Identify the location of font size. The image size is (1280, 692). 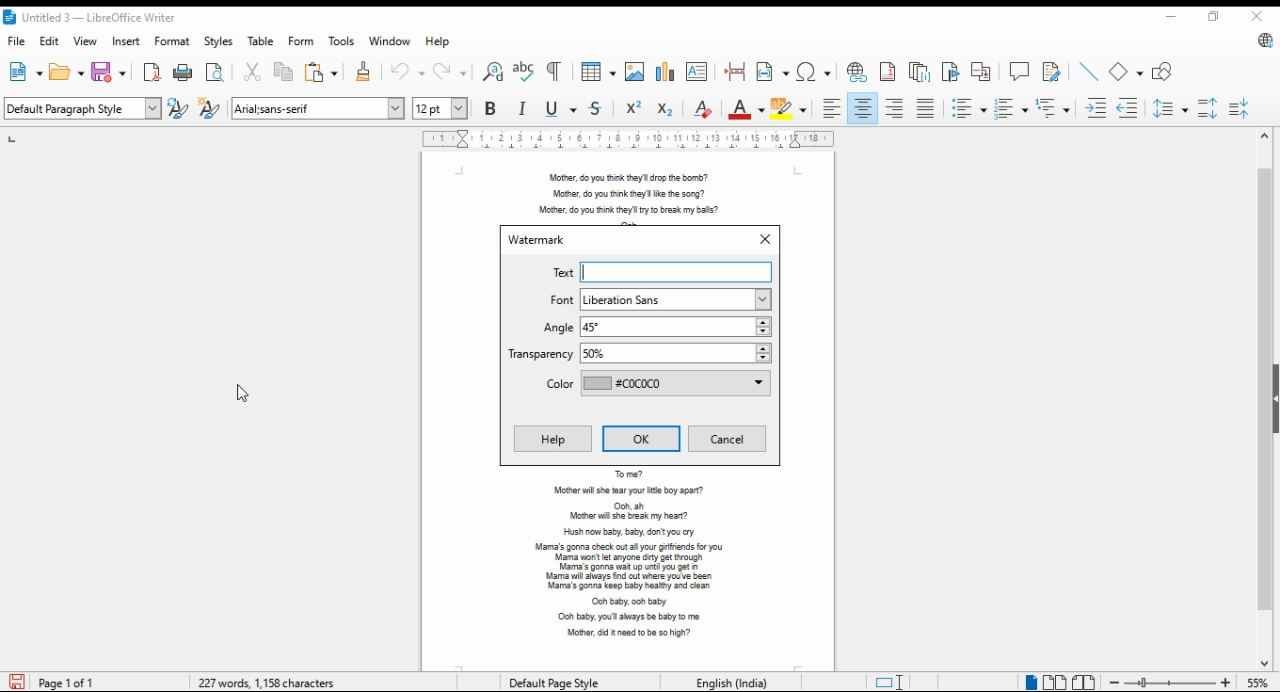
(442, 108).